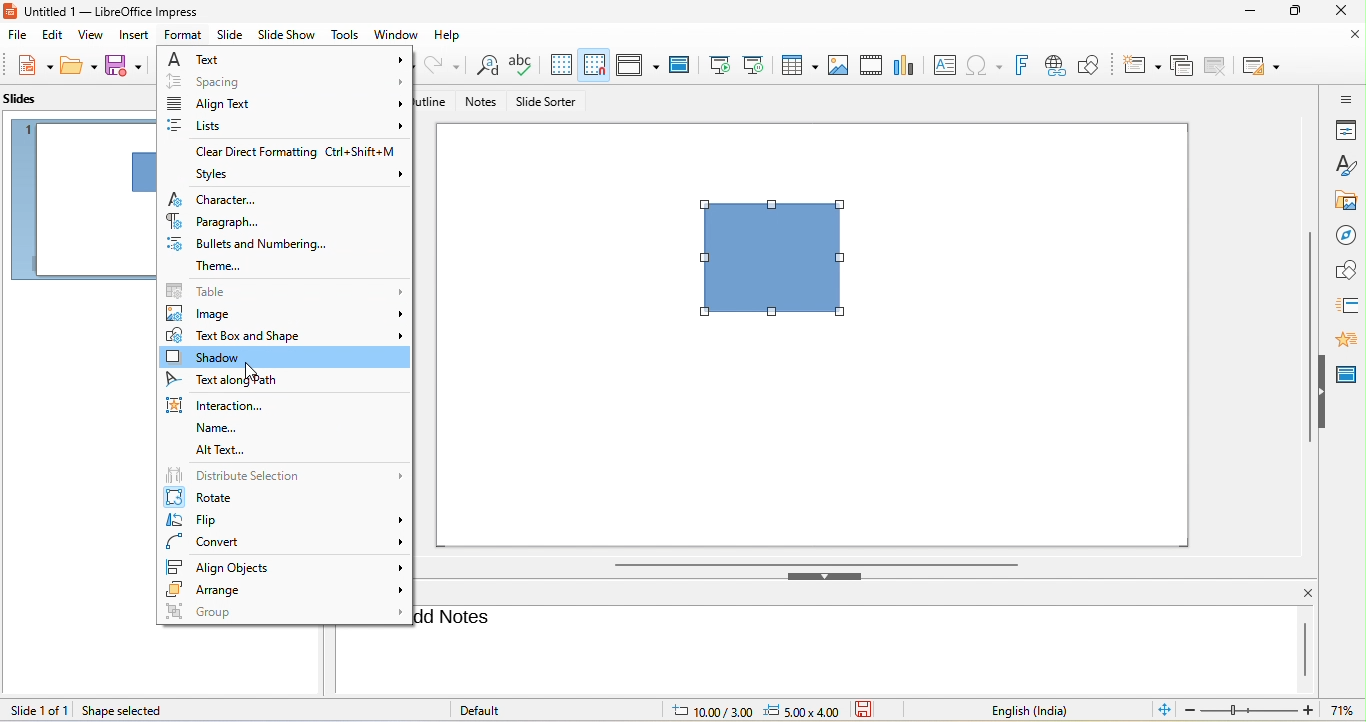 The width and height of the screenshot is (1366, 722). Describe the element at coordinates (706, 712) in the screenshot. I see `10.00/3.00` at that location.